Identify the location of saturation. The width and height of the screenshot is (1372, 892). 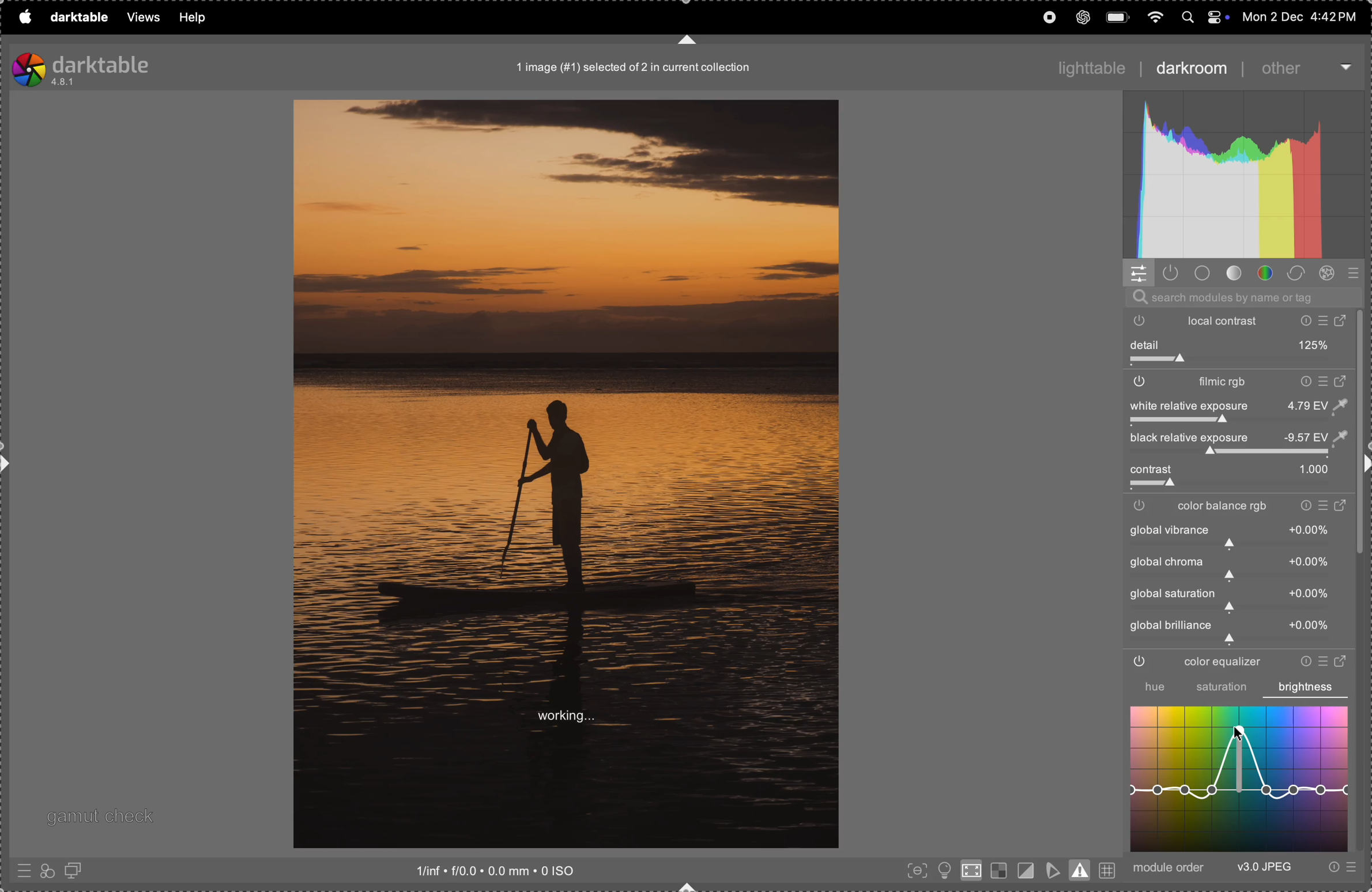
(1222, 689).